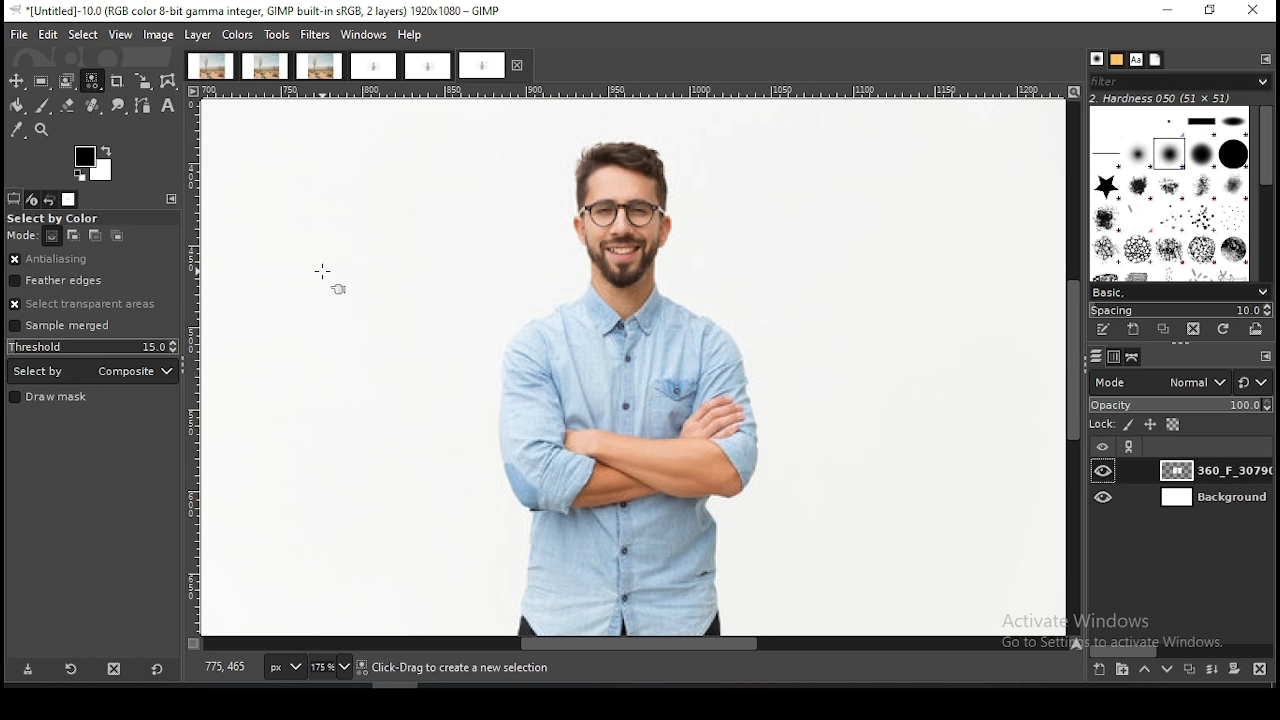 This screenshot has width=1280, height=720. What do you see at coordinates (628, 644) in the screenshot?
I see `scroll bar` at bounding box center [628, 644].